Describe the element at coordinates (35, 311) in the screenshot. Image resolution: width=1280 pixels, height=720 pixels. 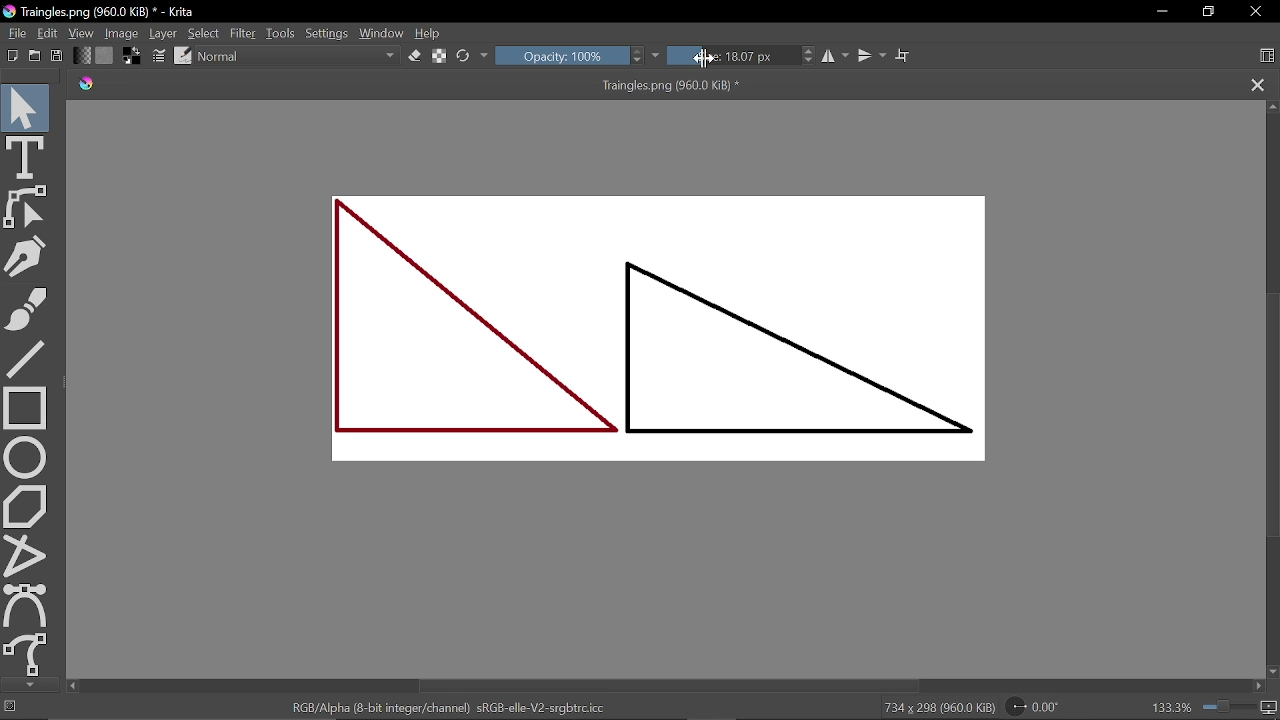
I see `Freehand brush tool` at that location.